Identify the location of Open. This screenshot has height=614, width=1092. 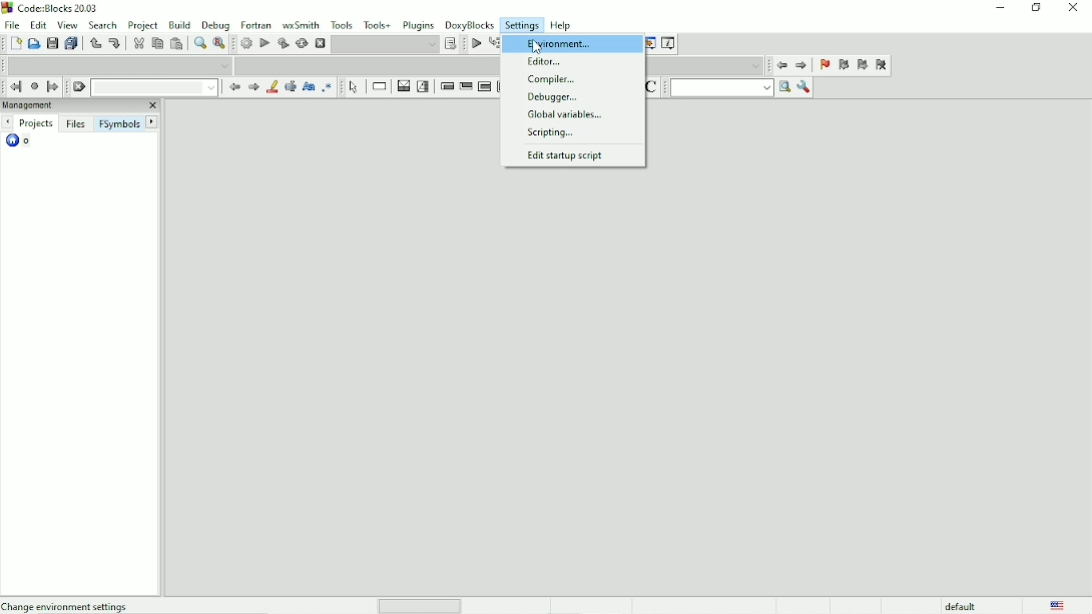
(33, 43).